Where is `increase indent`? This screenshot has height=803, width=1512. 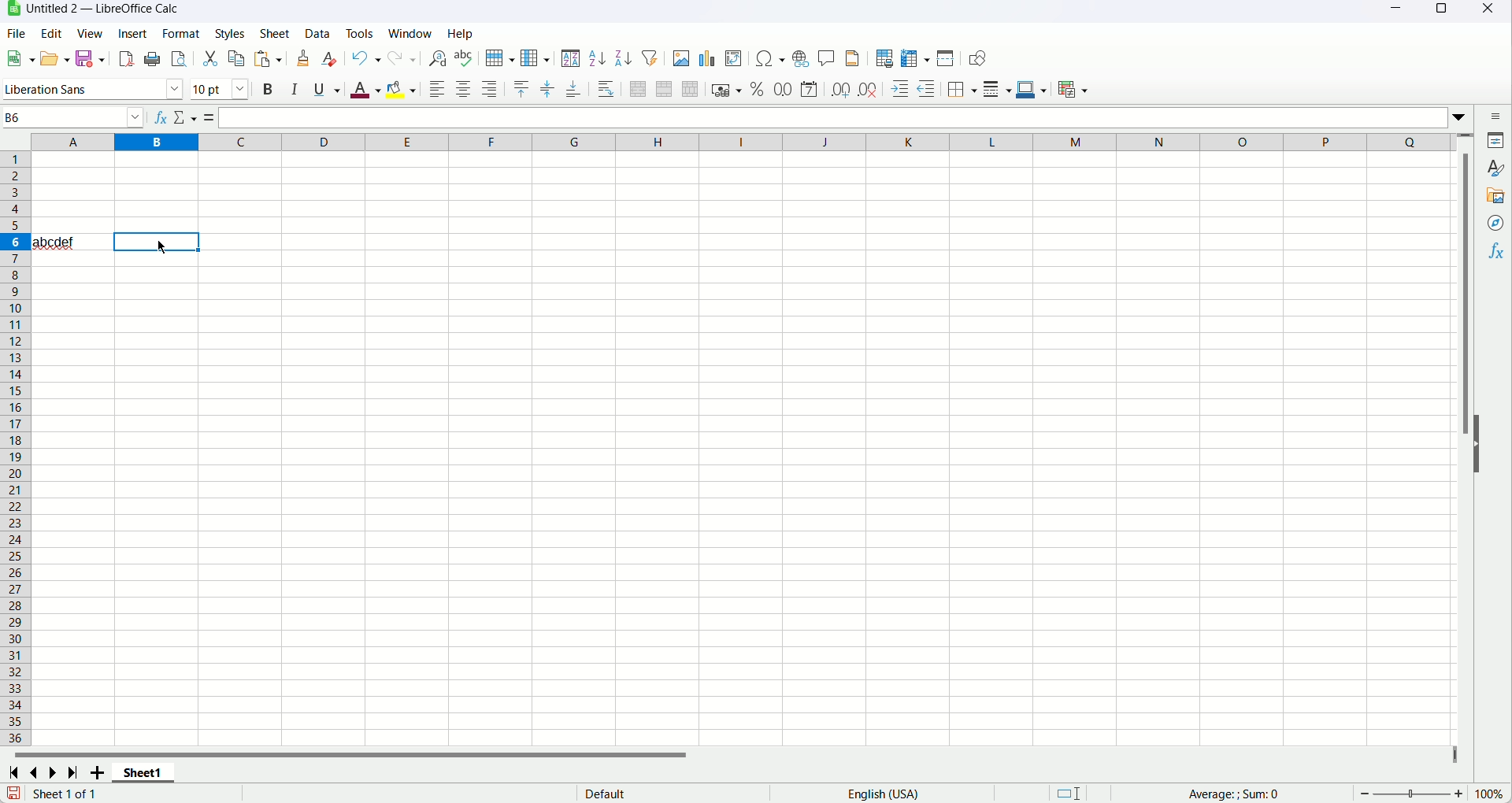 increase indent is located at coordinates (900, 89).